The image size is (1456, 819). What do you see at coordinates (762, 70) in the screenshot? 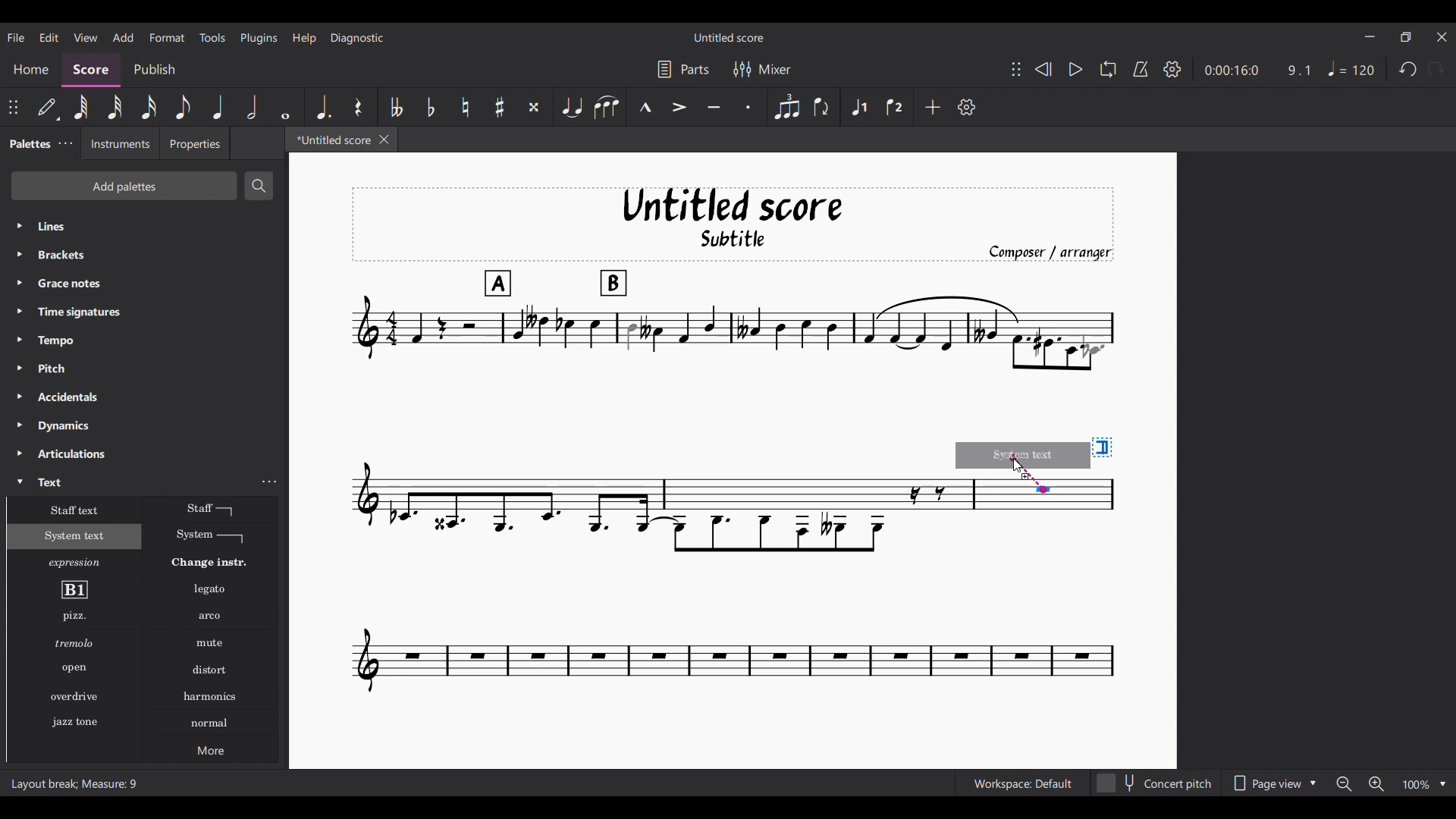
I see `Mixer settings` at bounding box center [762, 70].